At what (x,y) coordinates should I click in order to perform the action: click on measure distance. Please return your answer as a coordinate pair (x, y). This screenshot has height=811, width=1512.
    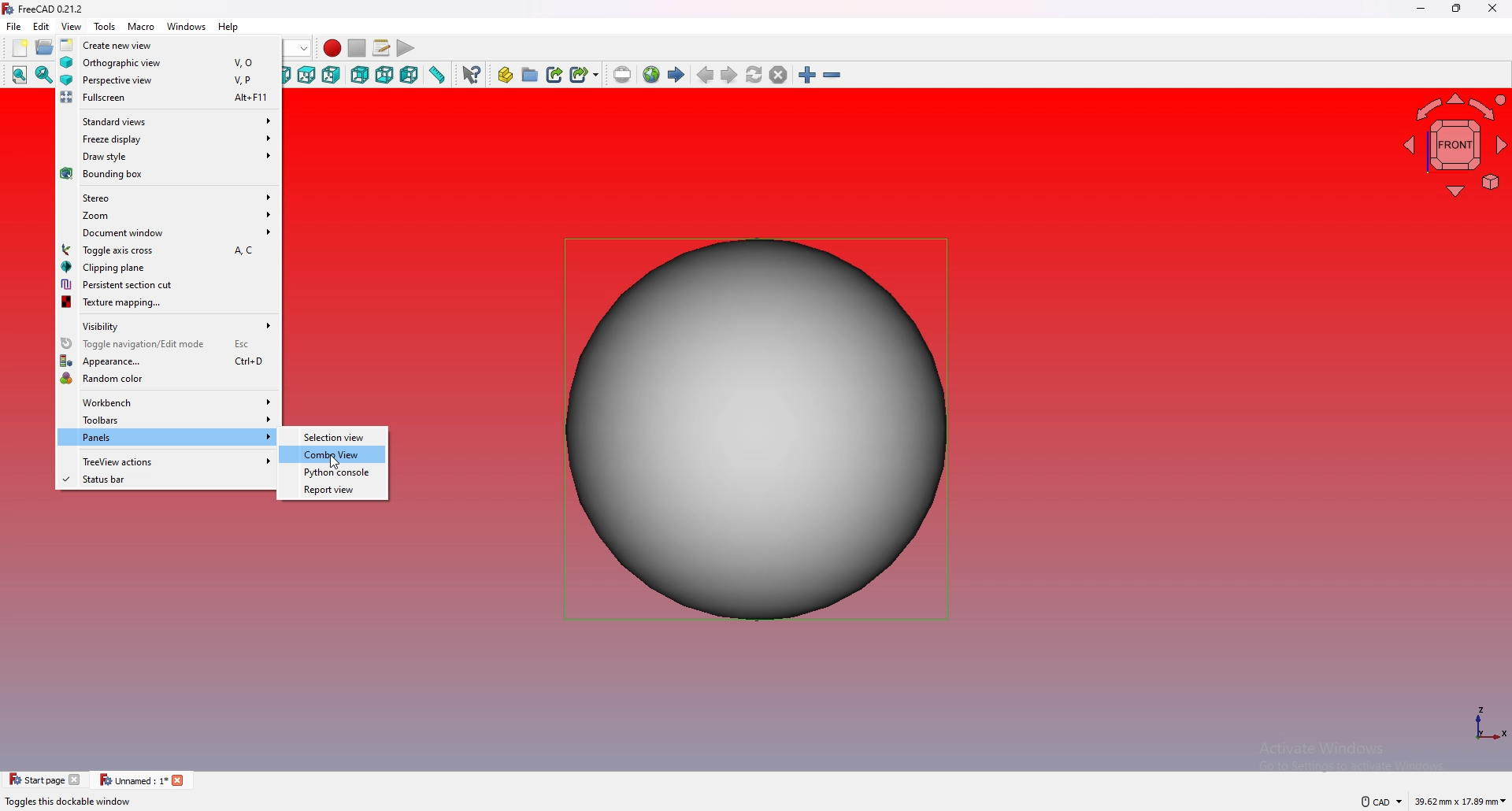
    Looking at the image, I should click on (439, 74).